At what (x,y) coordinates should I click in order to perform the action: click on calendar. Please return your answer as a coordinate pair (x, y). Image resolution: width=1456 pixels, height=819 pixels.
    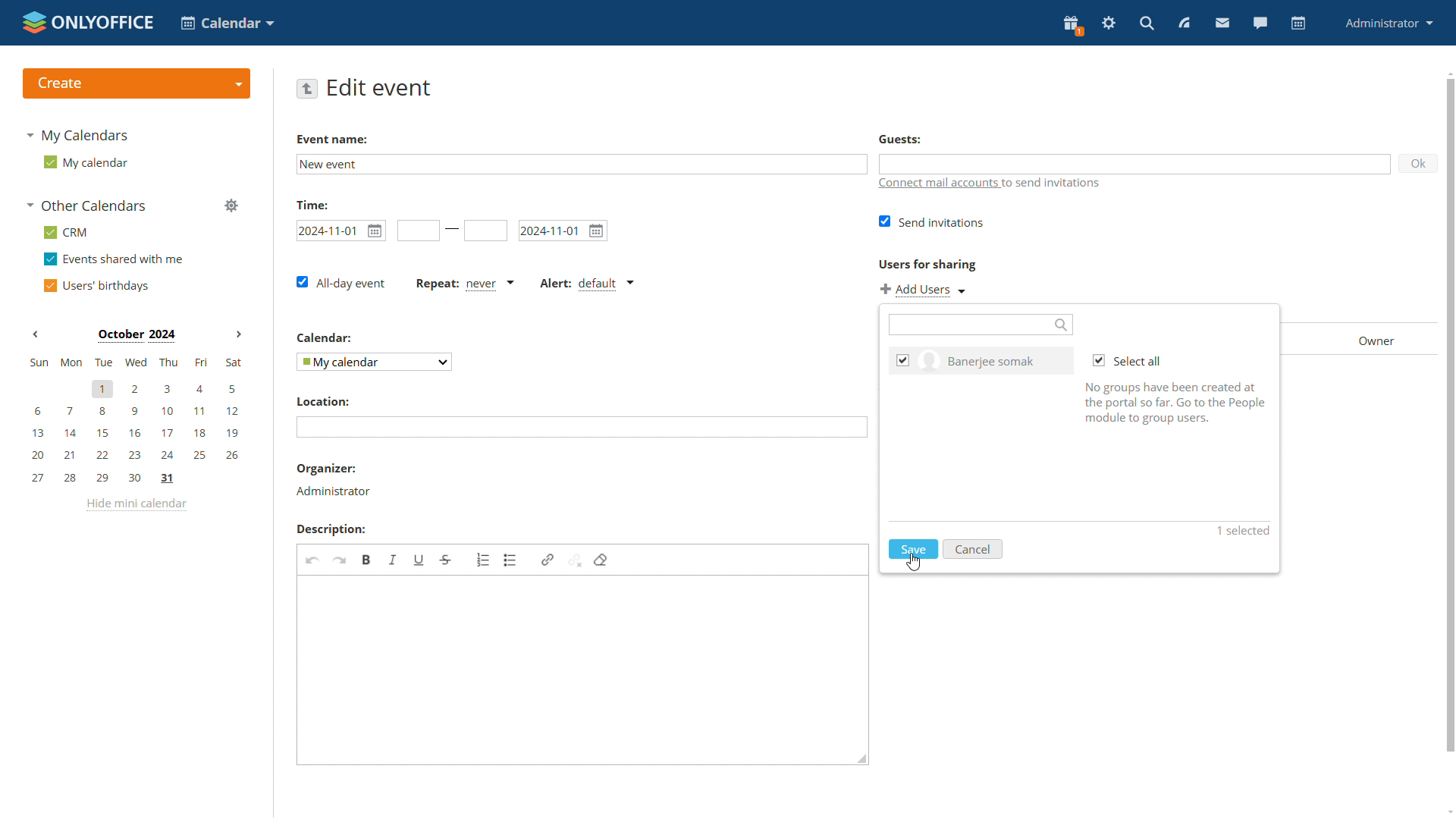
    Looking at the image, I should click on (1299, 24).